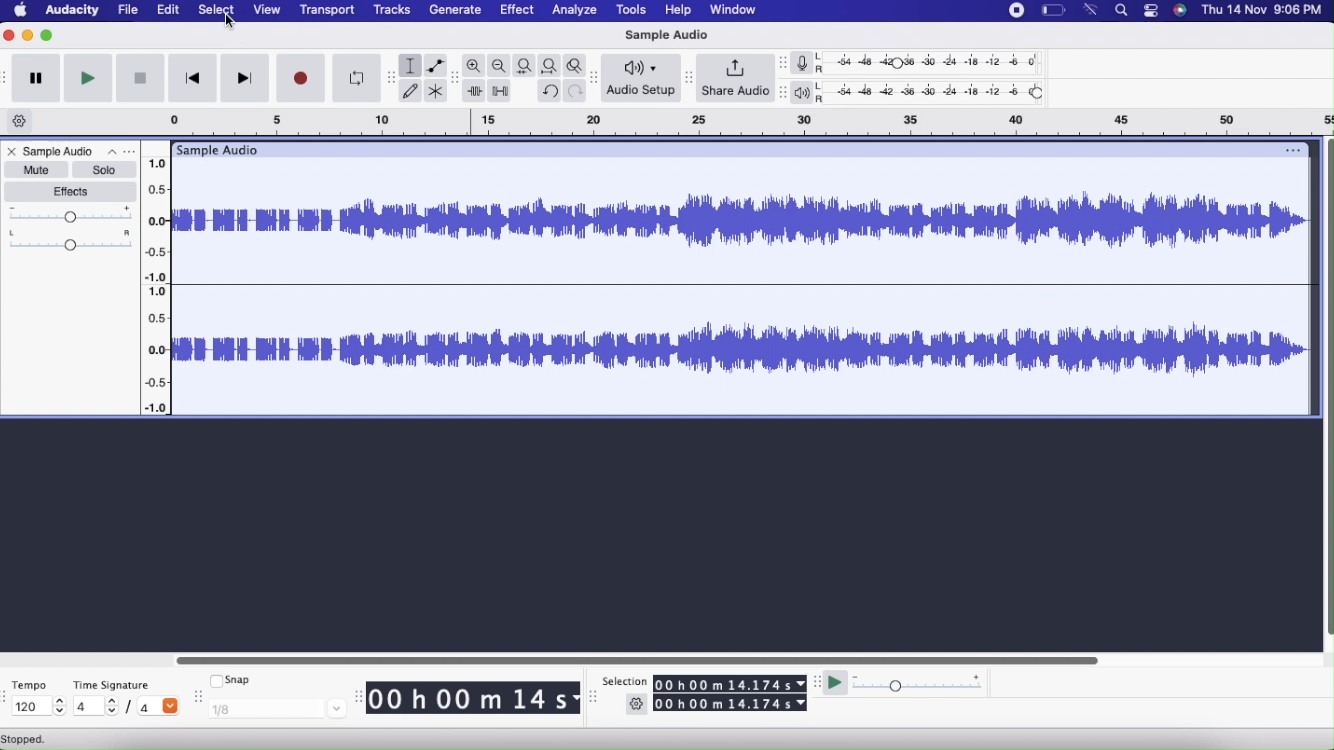  What do you see at coordinates (641, 77) in the screenshot?
I see `Audio Setup` at bounding box center [641, 77].